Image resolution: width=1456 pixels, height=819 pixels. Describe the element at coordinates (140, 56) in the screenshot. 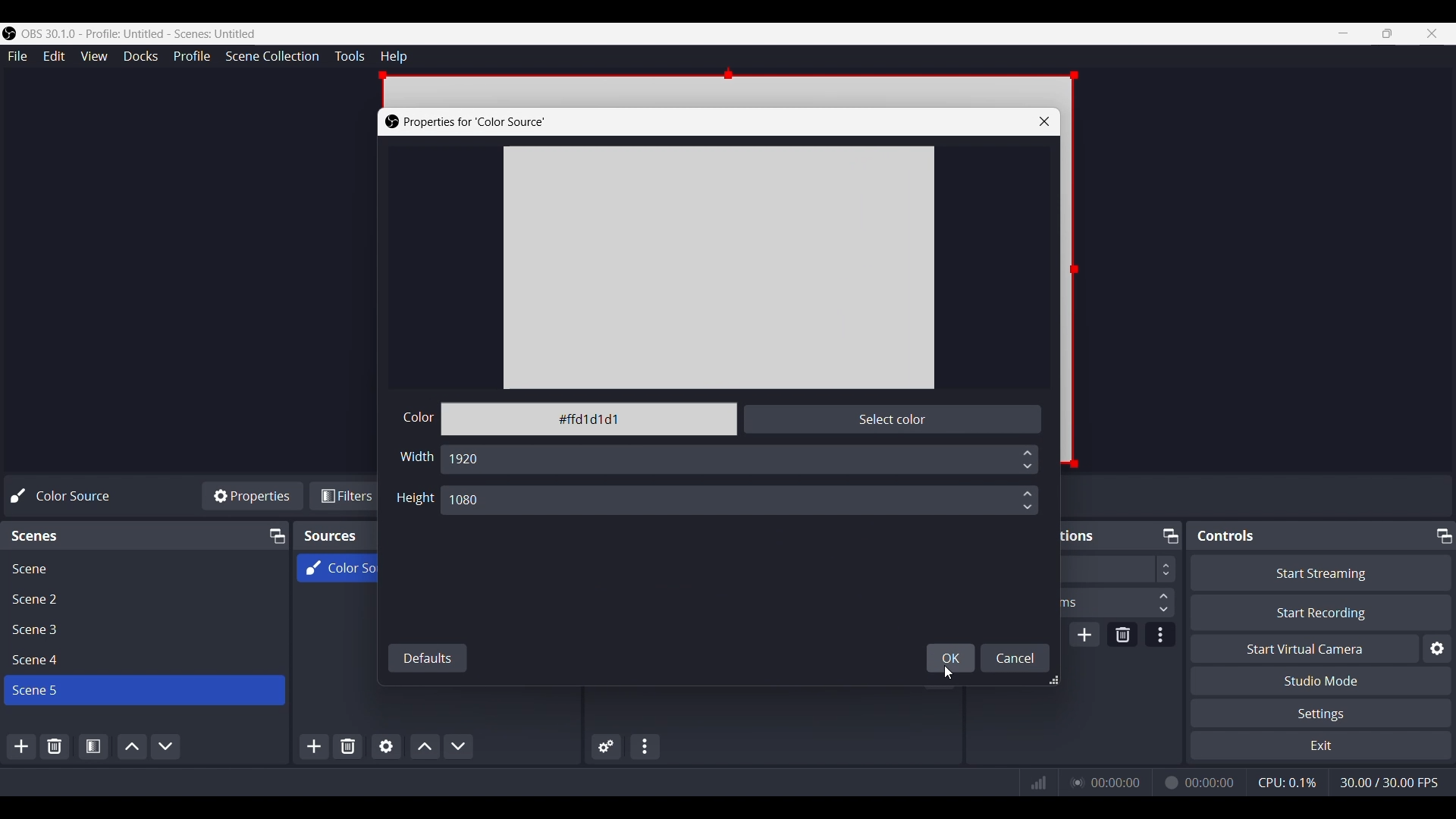

I see `Docks` at that location.